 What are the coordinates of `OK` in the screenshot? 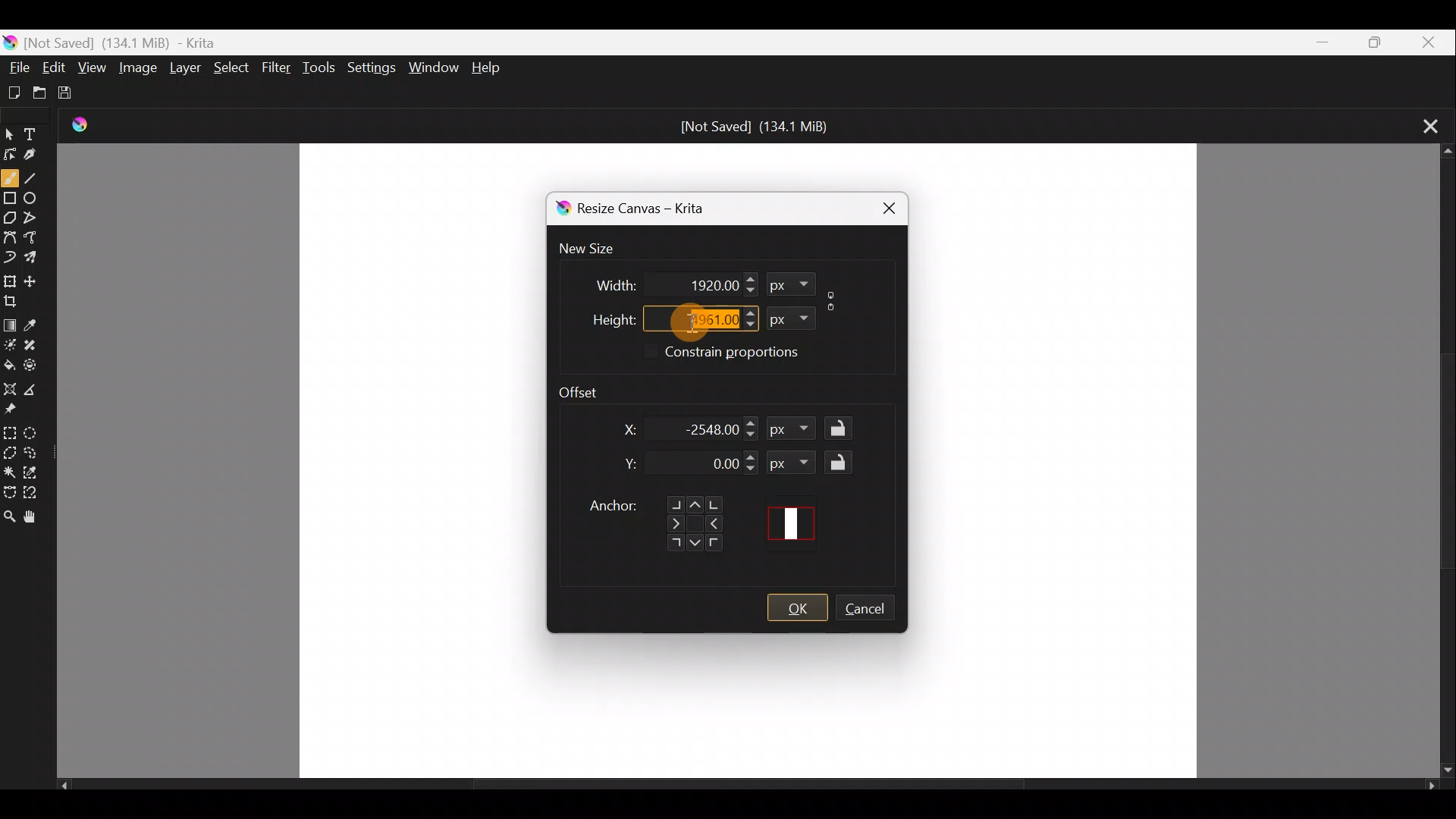 It's located at (797, 608).